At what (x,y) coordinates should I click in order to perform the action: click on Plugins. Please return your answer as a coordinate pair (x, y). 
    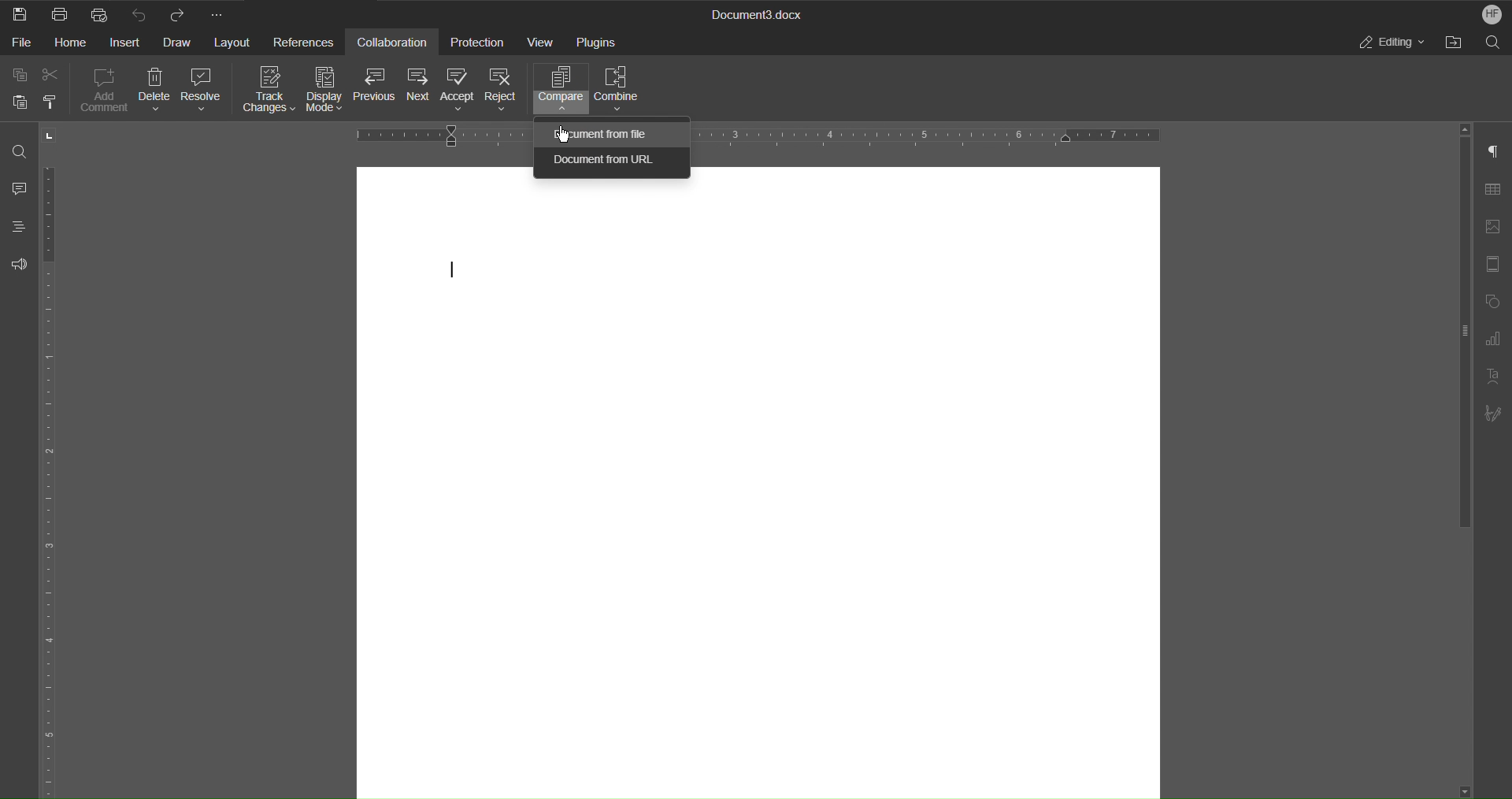
    Looking at the image, I should click on (598, 41).